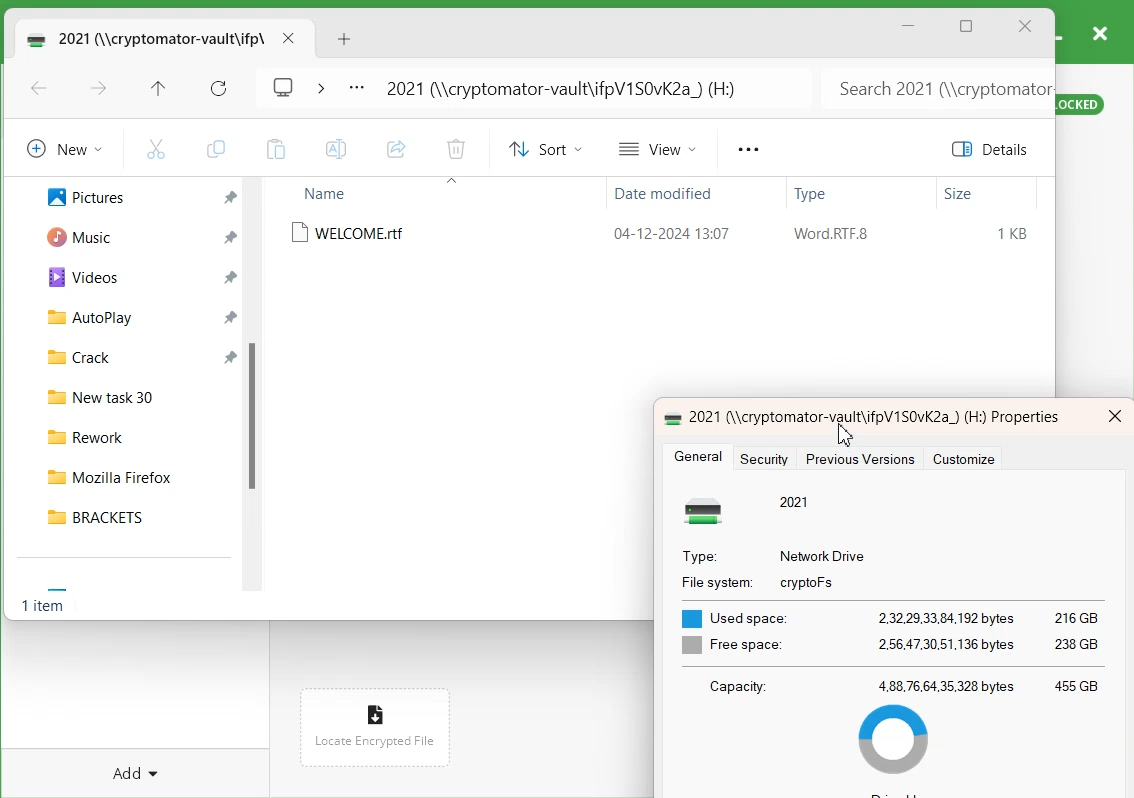 The image size is (1134, 798). I want to click on Capacity:, so click(745, 685).